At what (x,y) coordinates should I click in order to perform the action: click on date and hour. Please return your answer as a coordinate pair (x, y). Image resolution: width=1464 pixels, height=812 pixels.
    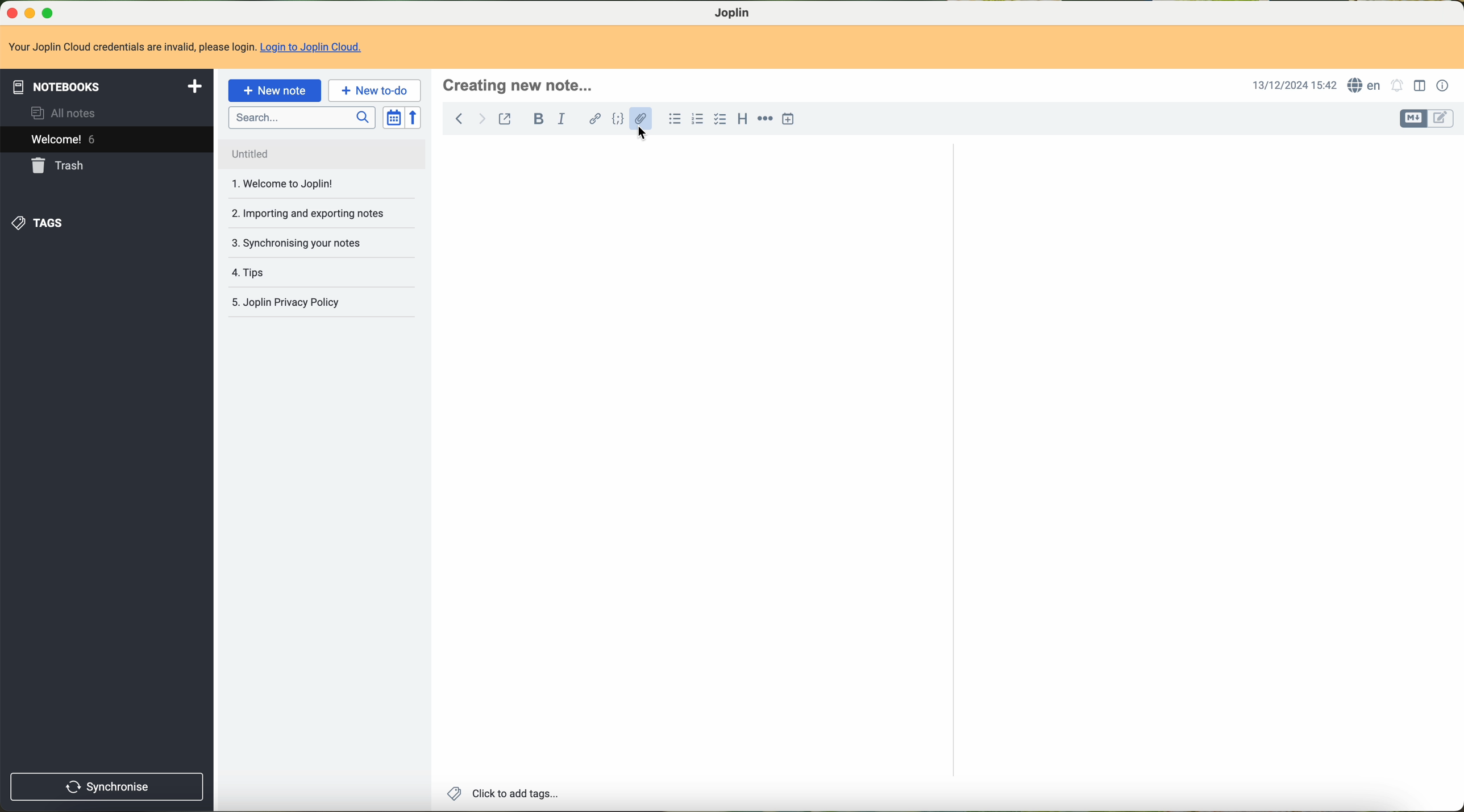
    Looking at the image, I should click on (1292, 86).